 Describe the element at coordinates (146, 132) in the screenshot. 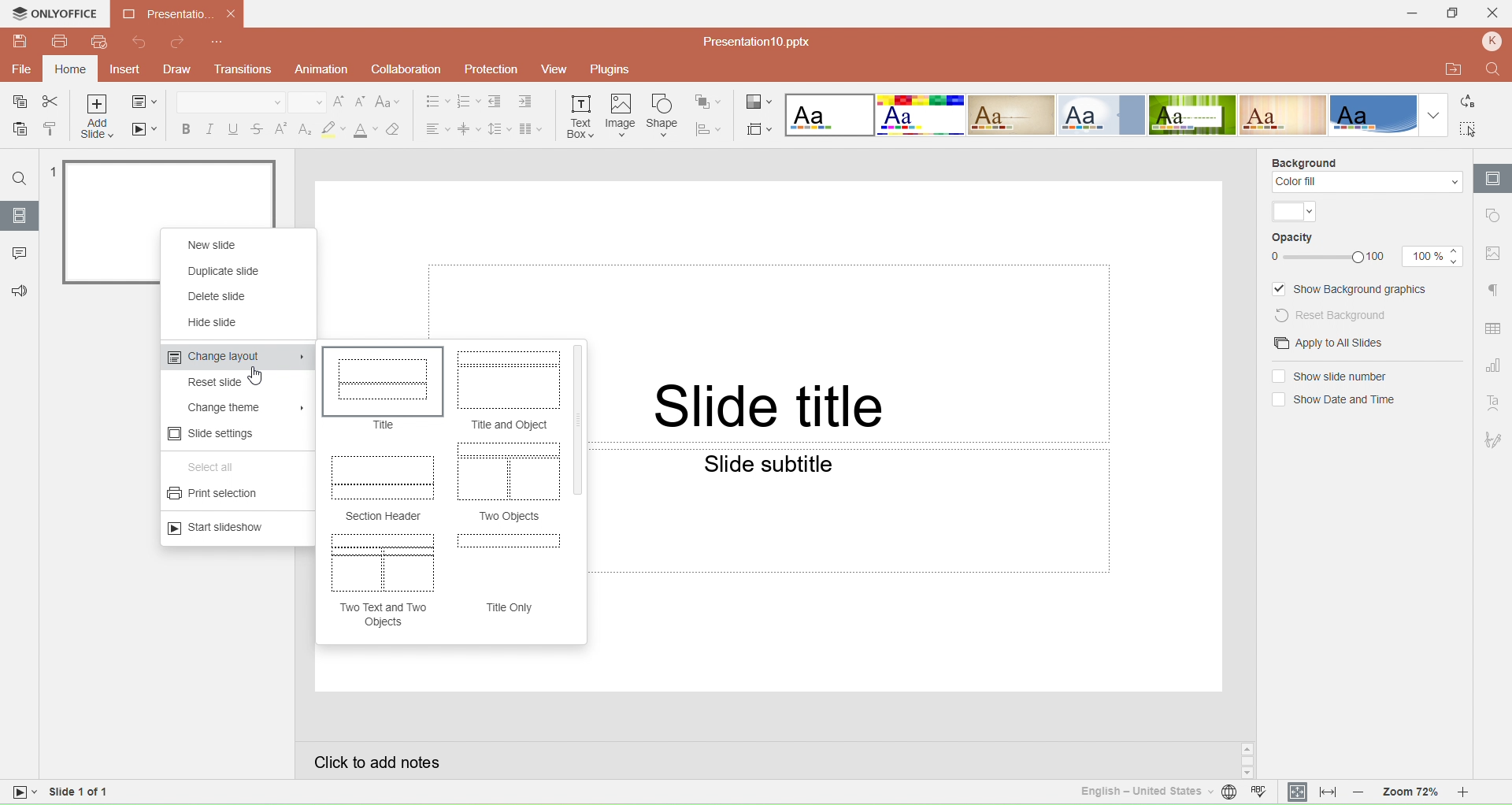

I see `Start slideshow` at that location.